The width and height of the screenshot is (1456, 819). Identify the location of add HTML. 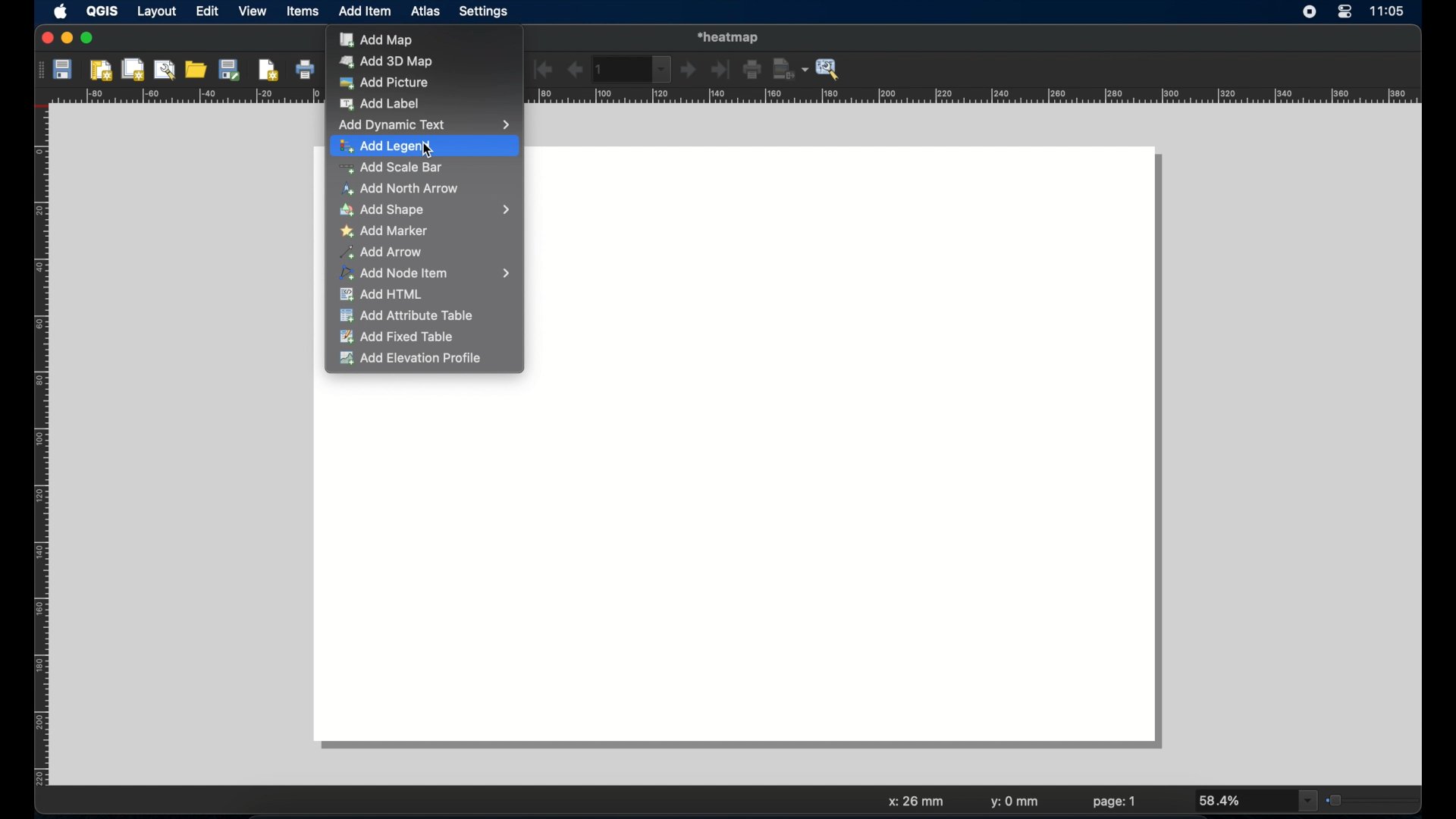
(384, 296).